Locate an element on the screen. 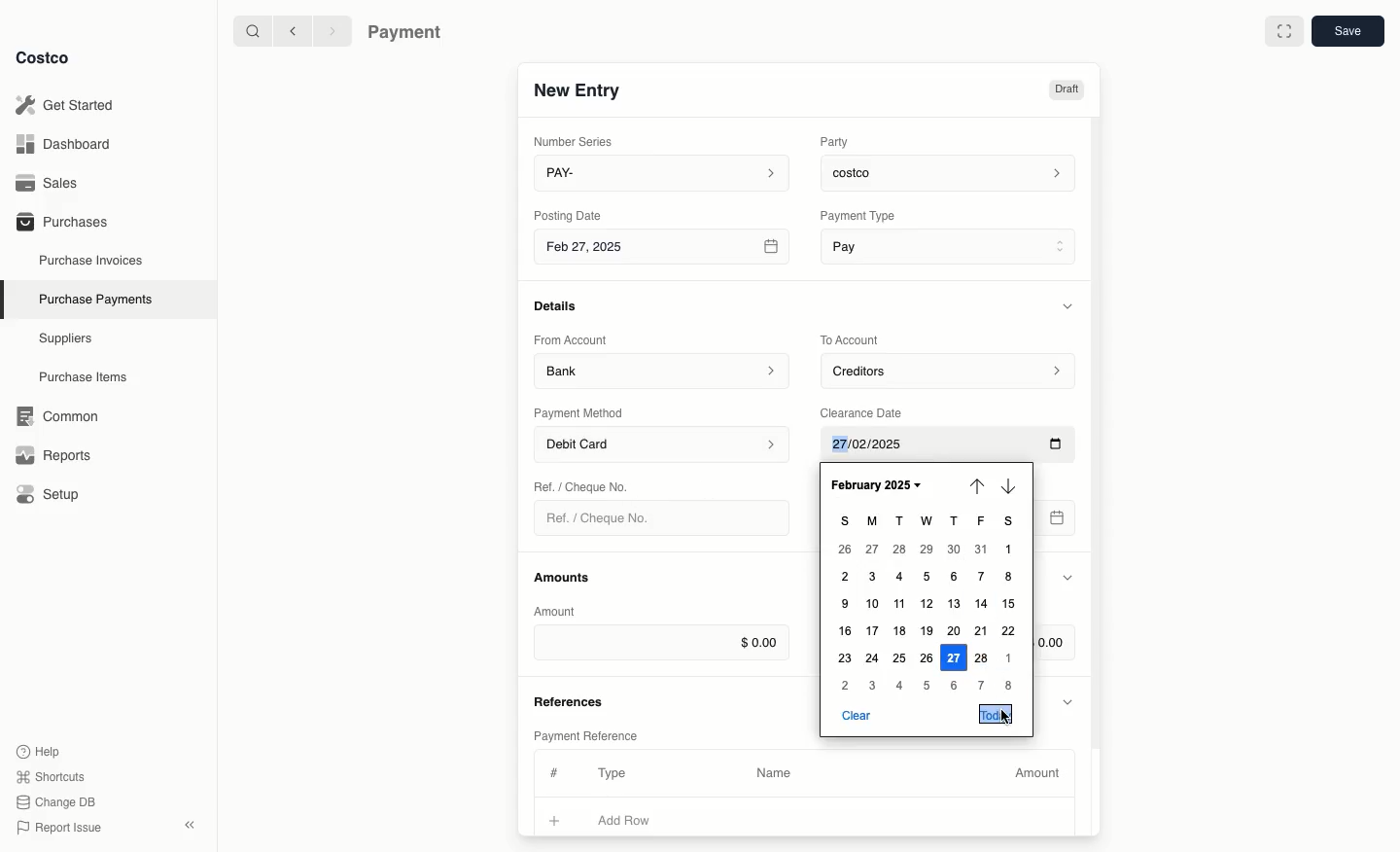 This screenshot has width=1400, height=852. Back is located at coordinates (293, 30).